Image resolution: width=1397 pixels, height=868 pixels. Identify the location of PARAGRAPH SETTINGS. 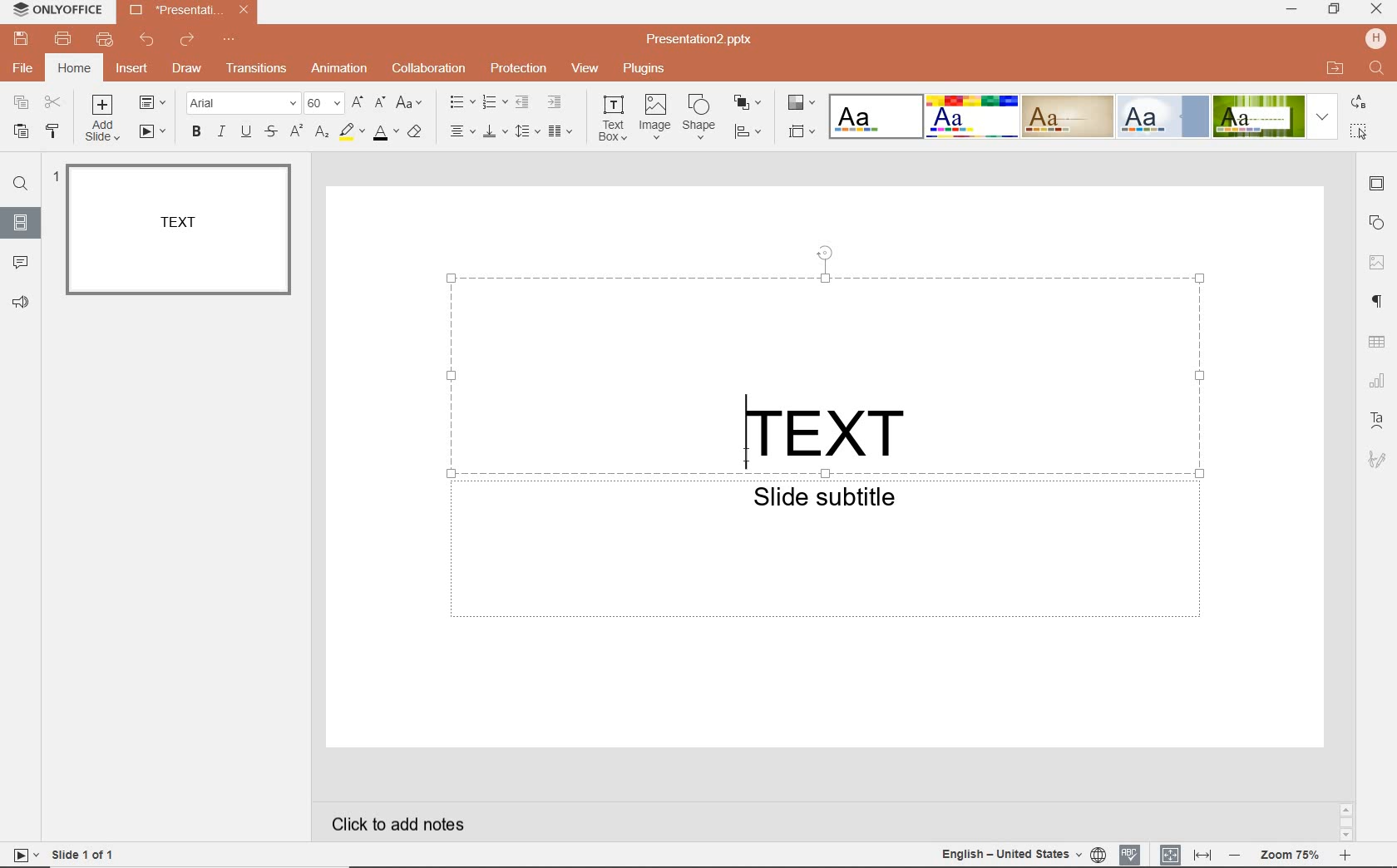
(1379, 300).